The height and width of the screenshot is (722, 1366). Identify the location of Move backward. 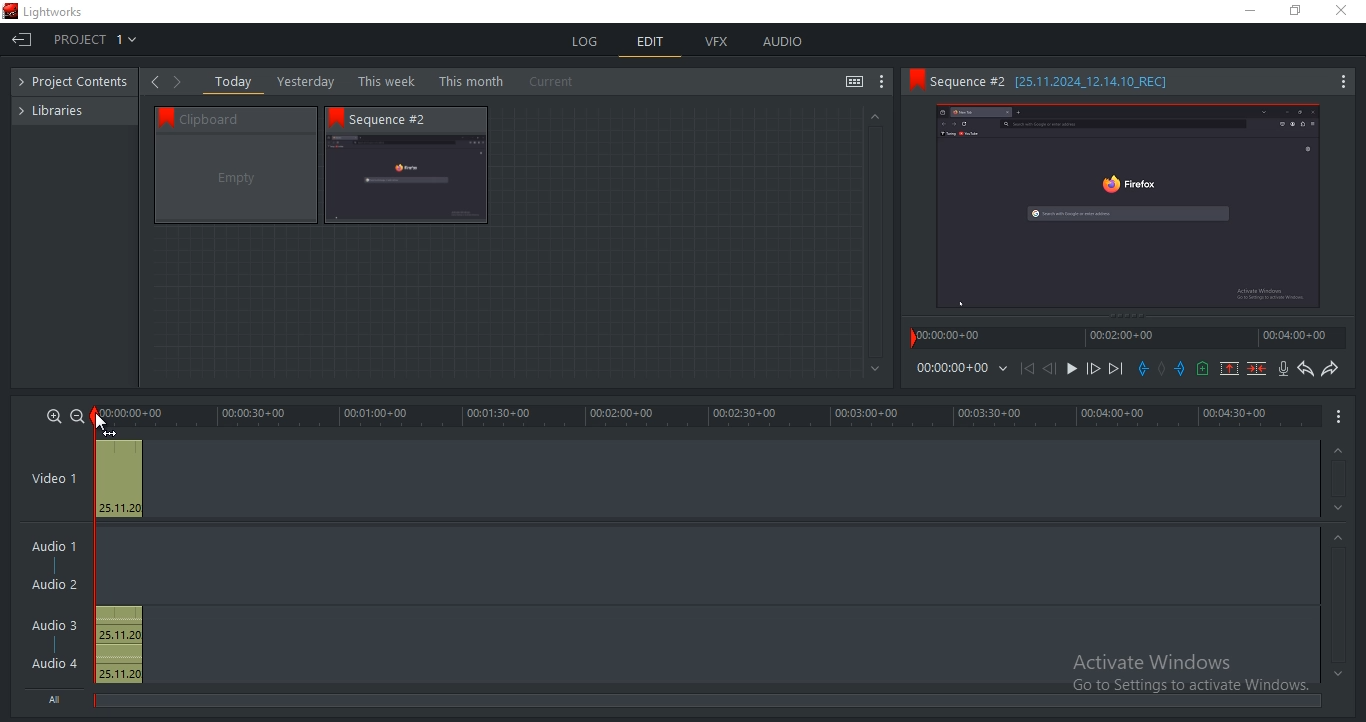
(1030, 373).